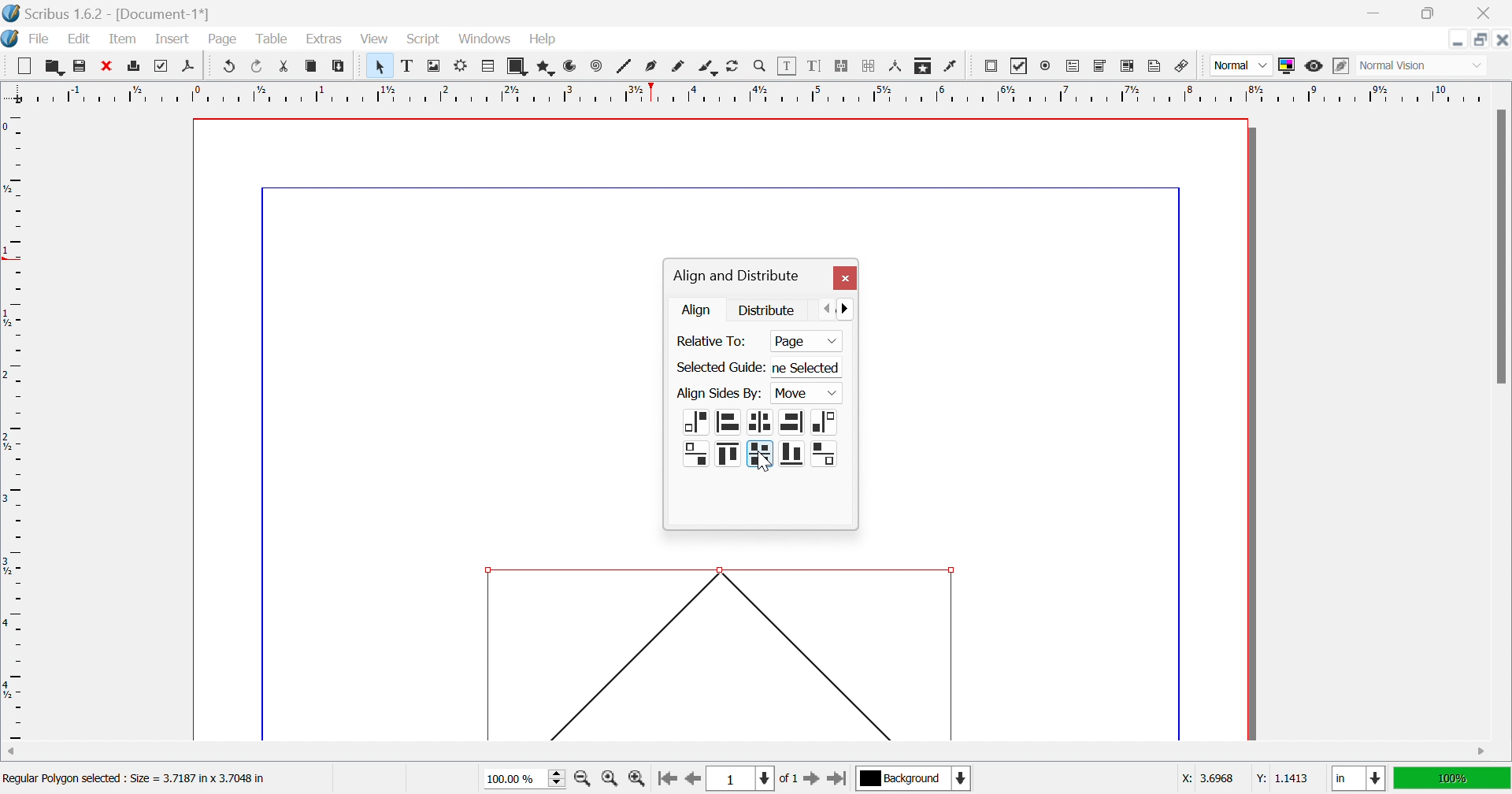 Image resolution: width=1512 pixels, height=794 pixels. I want to click on Line, so click(624, 65).